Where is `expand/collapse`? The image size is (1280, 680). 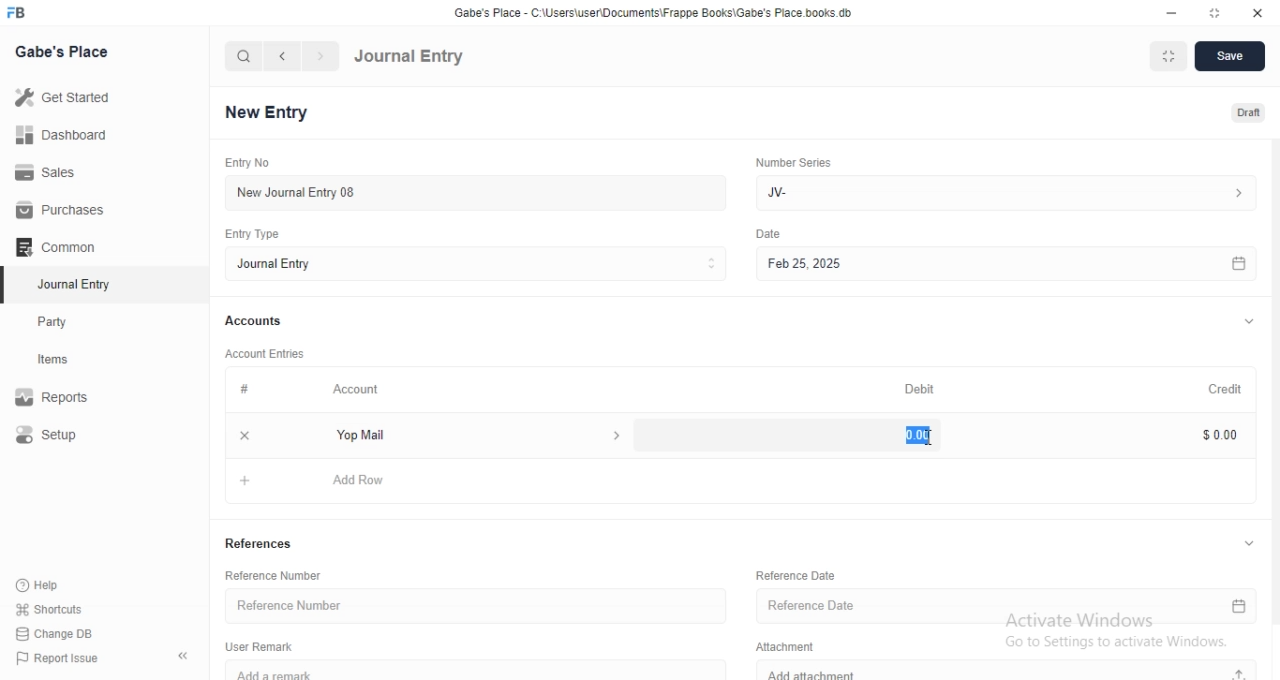 expand/collapse is located at coordinates (1248, 323).